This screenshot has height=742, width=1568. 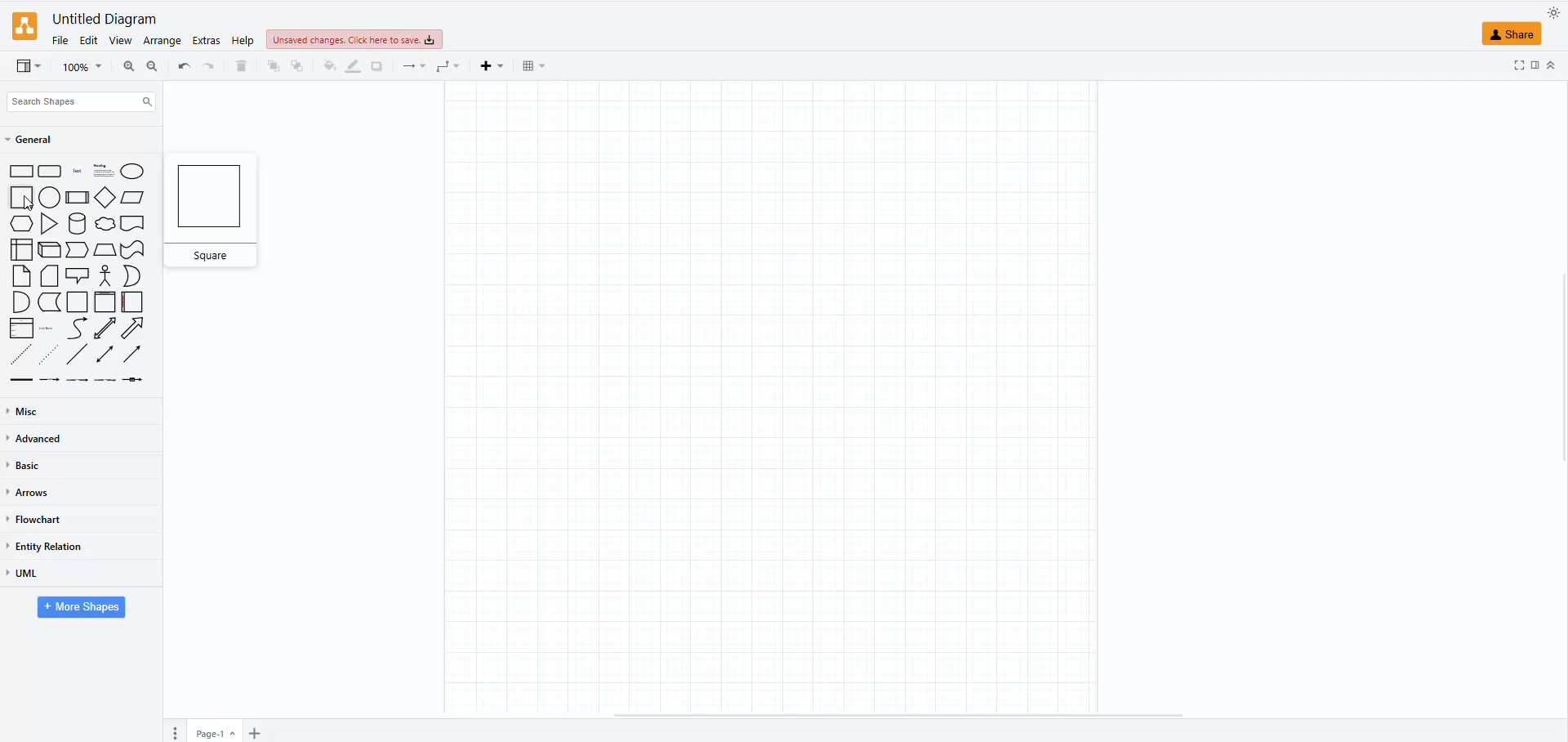 I want to click on vertical container, so click(x=106, y=302).